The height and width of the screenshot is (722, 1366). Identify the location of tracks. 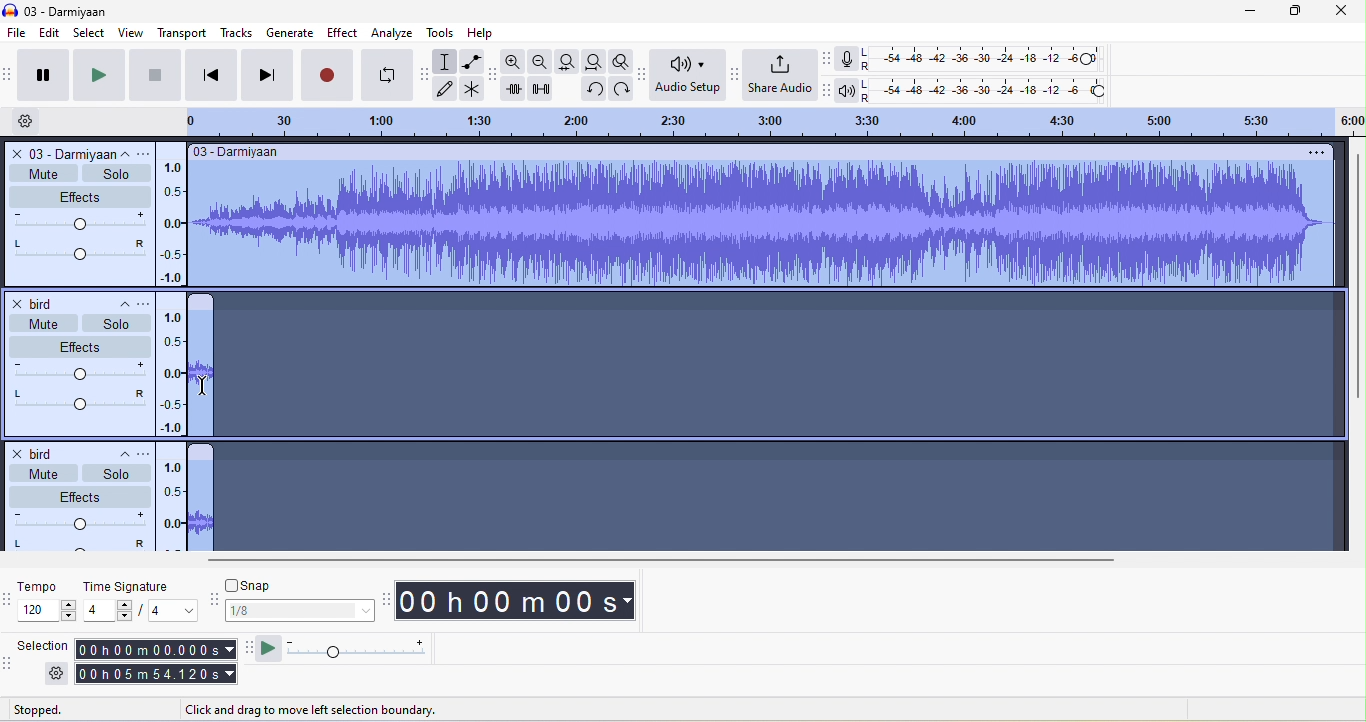
(232, 33).